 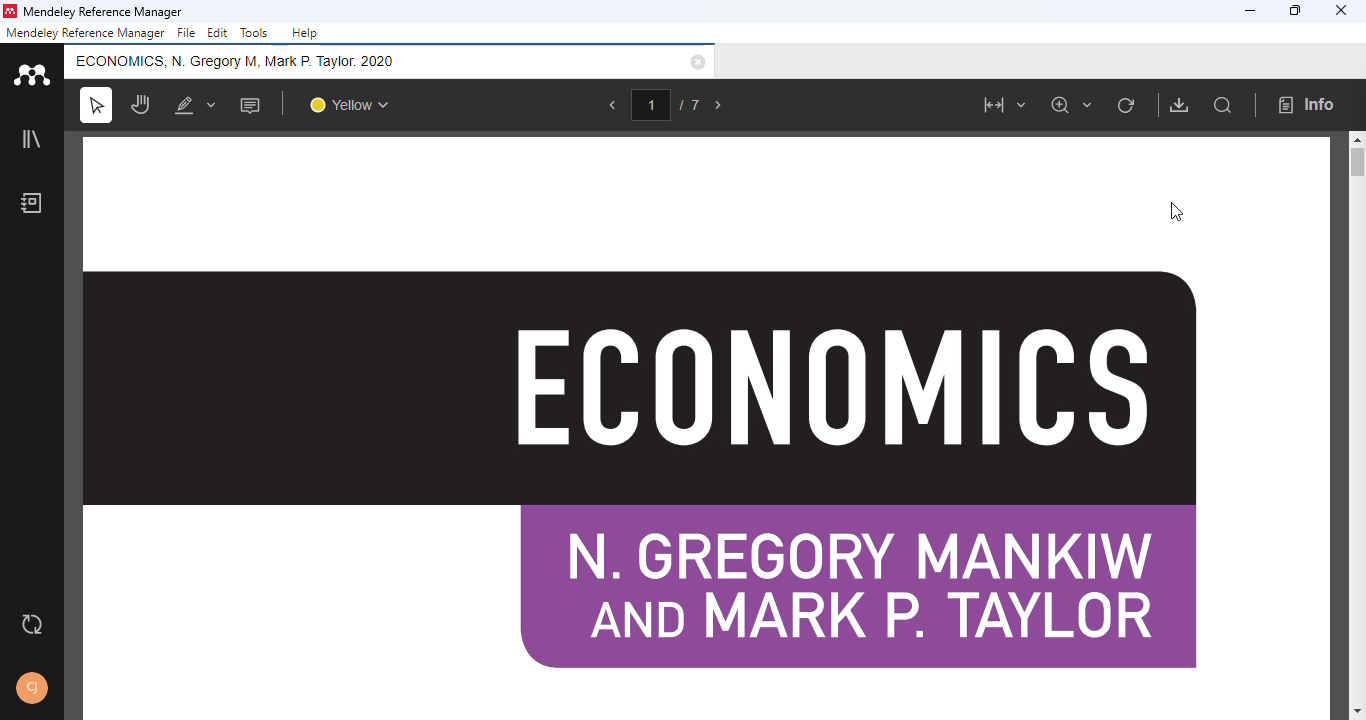 I want to click on logo, so click(x=31, y=74).